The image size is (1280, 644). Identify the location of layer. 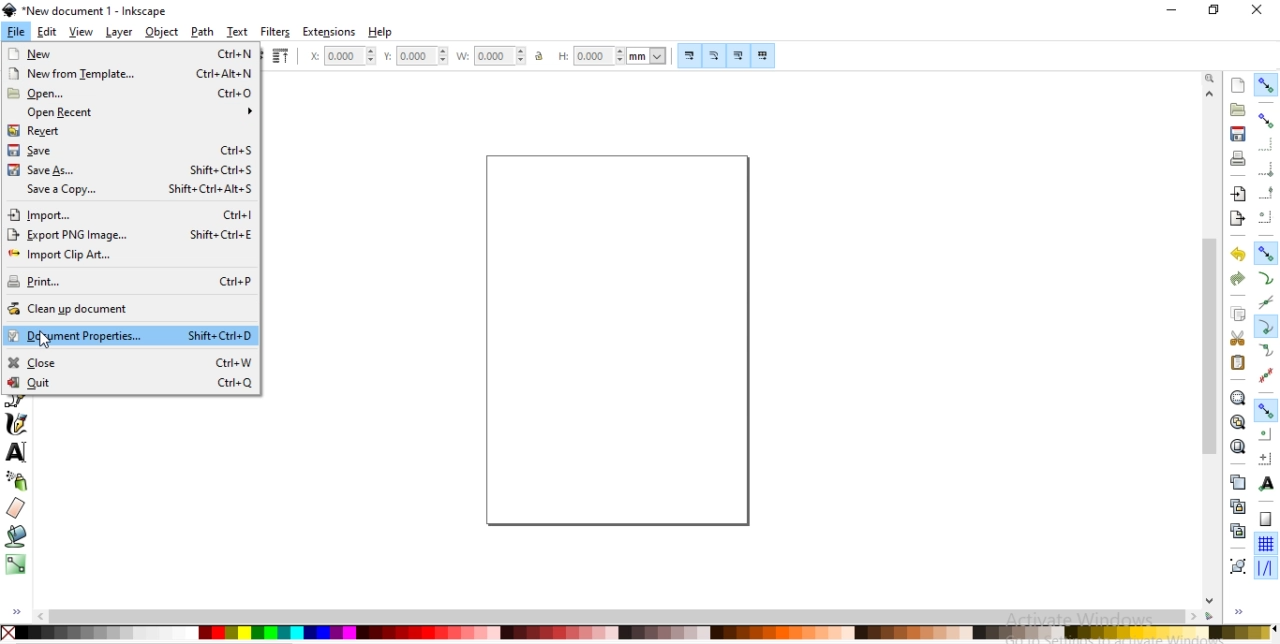
(120, 33).